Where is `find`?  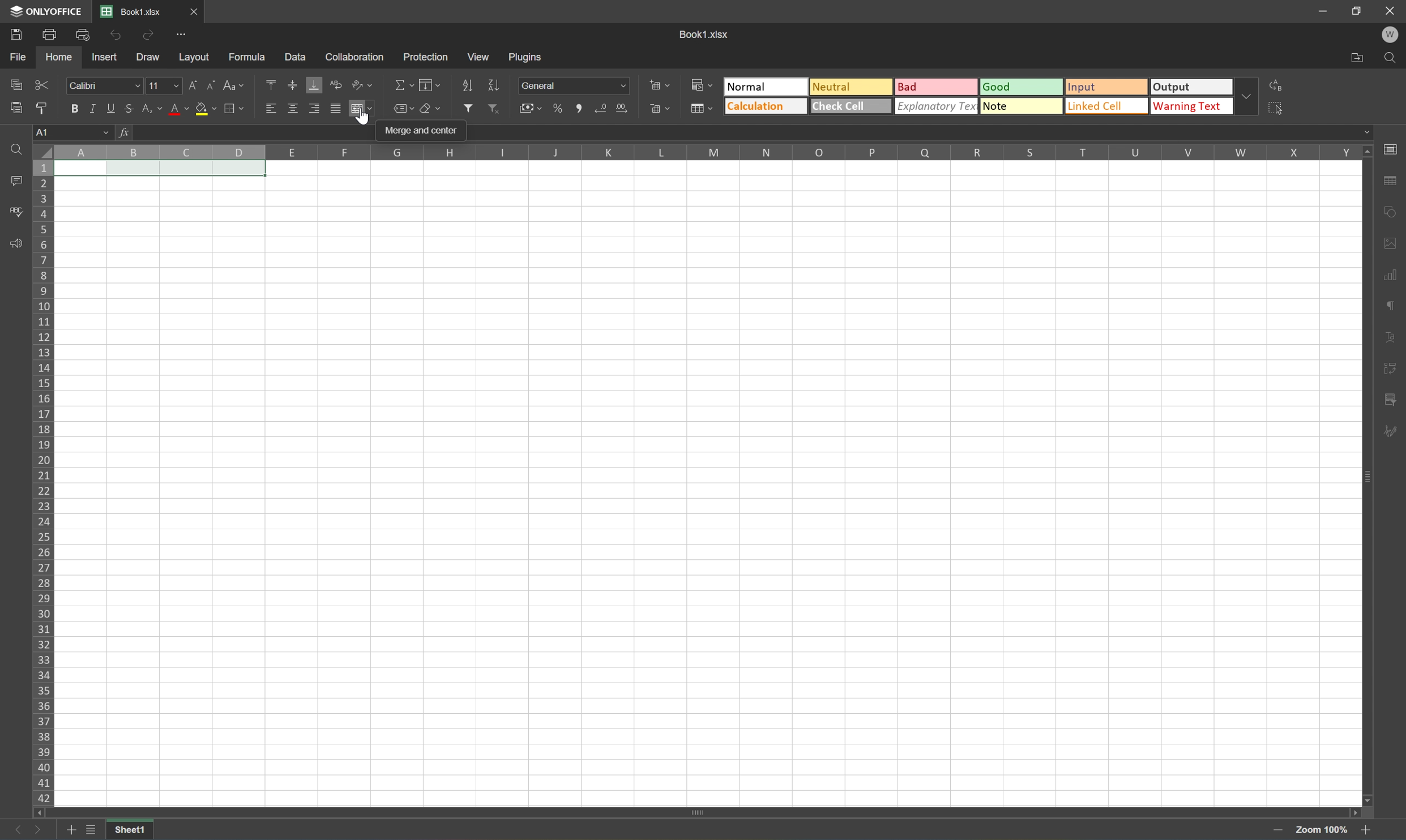
find is located at coordinates (15, 151).